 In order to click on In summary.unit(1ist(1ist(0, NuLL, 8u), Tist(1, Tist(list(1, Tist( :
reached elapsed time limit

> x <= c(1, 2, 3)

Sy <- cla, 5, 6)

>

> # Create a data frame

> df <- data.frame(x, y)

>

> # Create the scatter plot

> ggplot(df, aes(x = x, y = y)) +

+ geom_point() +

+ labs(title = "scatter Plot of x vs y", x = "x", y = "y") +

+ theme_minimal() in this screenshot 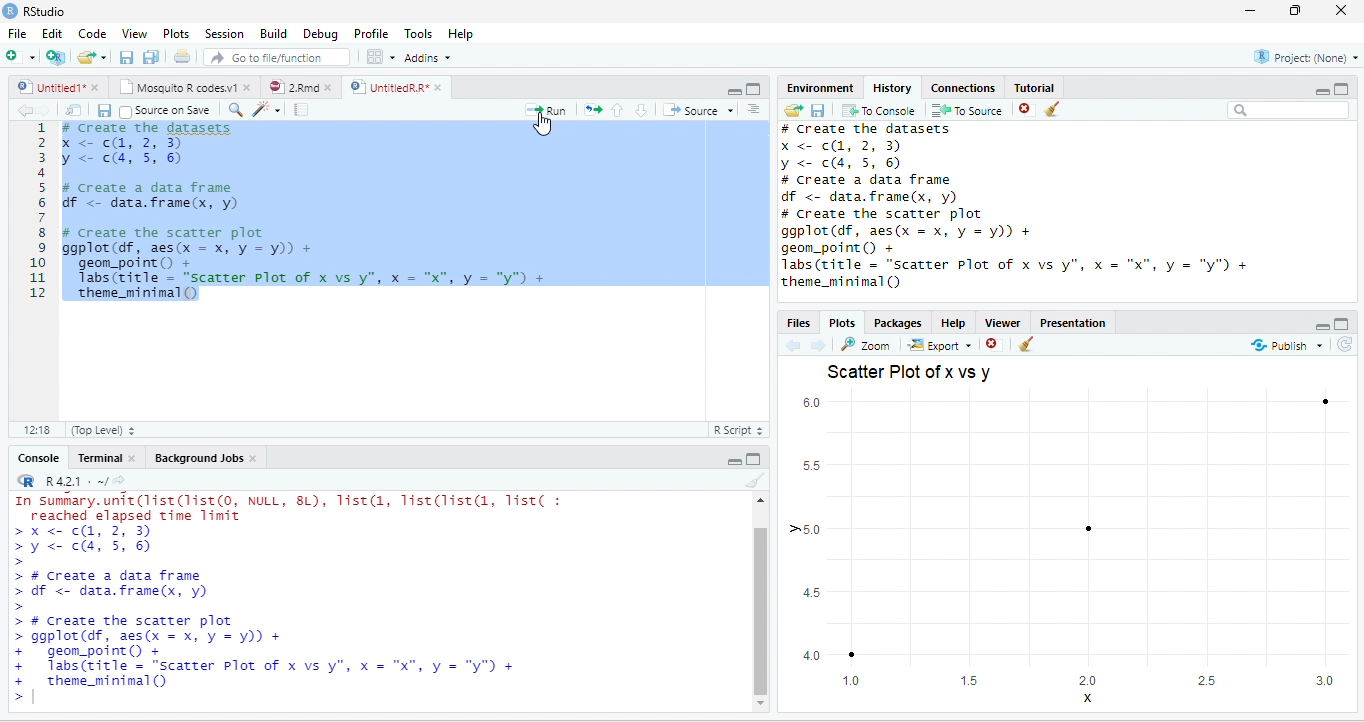, I will do `click(292, 595)`.